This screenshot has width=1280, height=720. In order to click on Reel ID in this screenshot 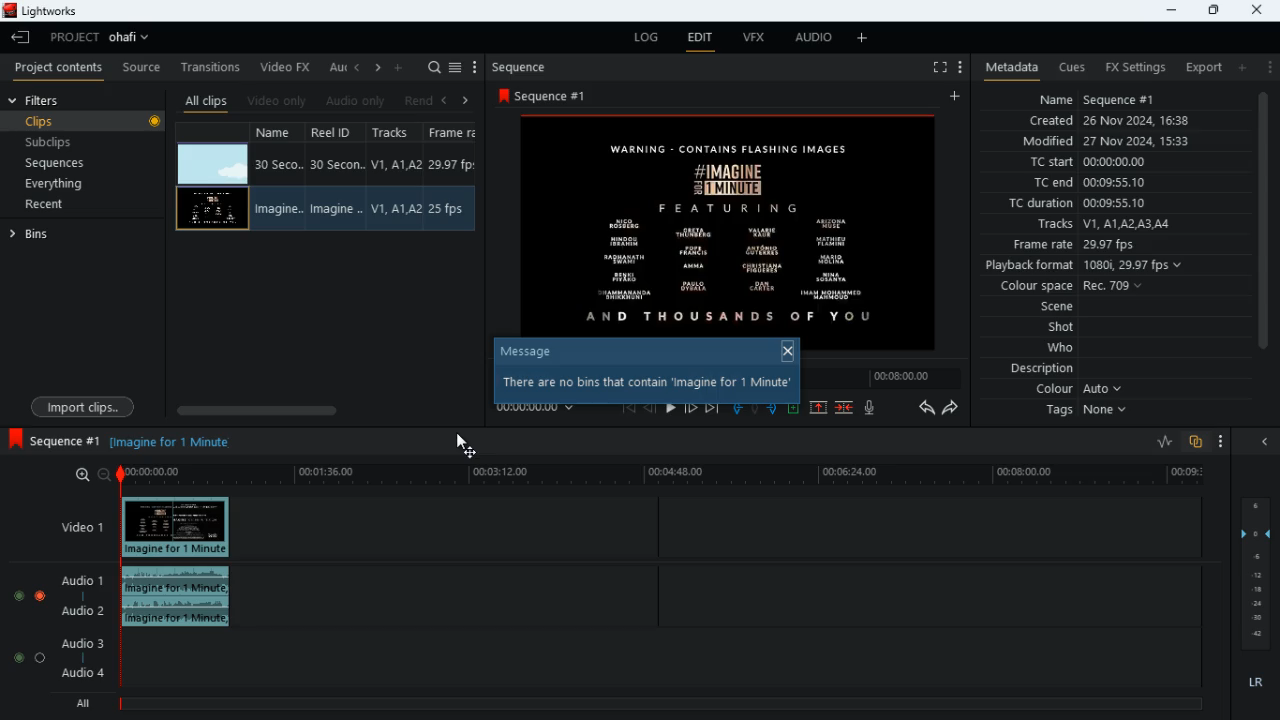, I will do `click(336, 209)`.